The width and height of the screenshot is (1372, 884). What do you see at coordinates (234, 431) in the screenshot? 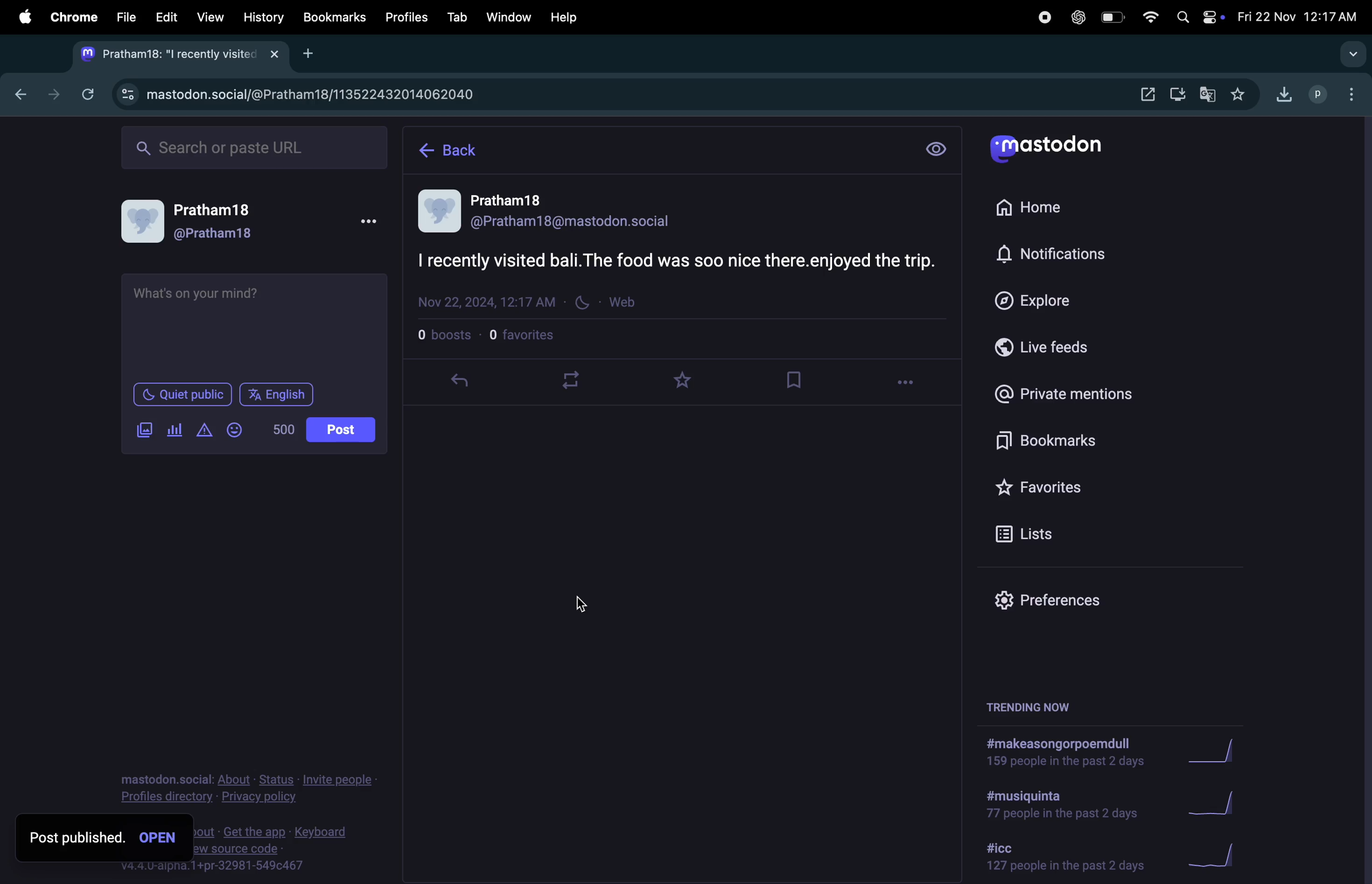
I see `add emoji` at bounding box center [234, 431].